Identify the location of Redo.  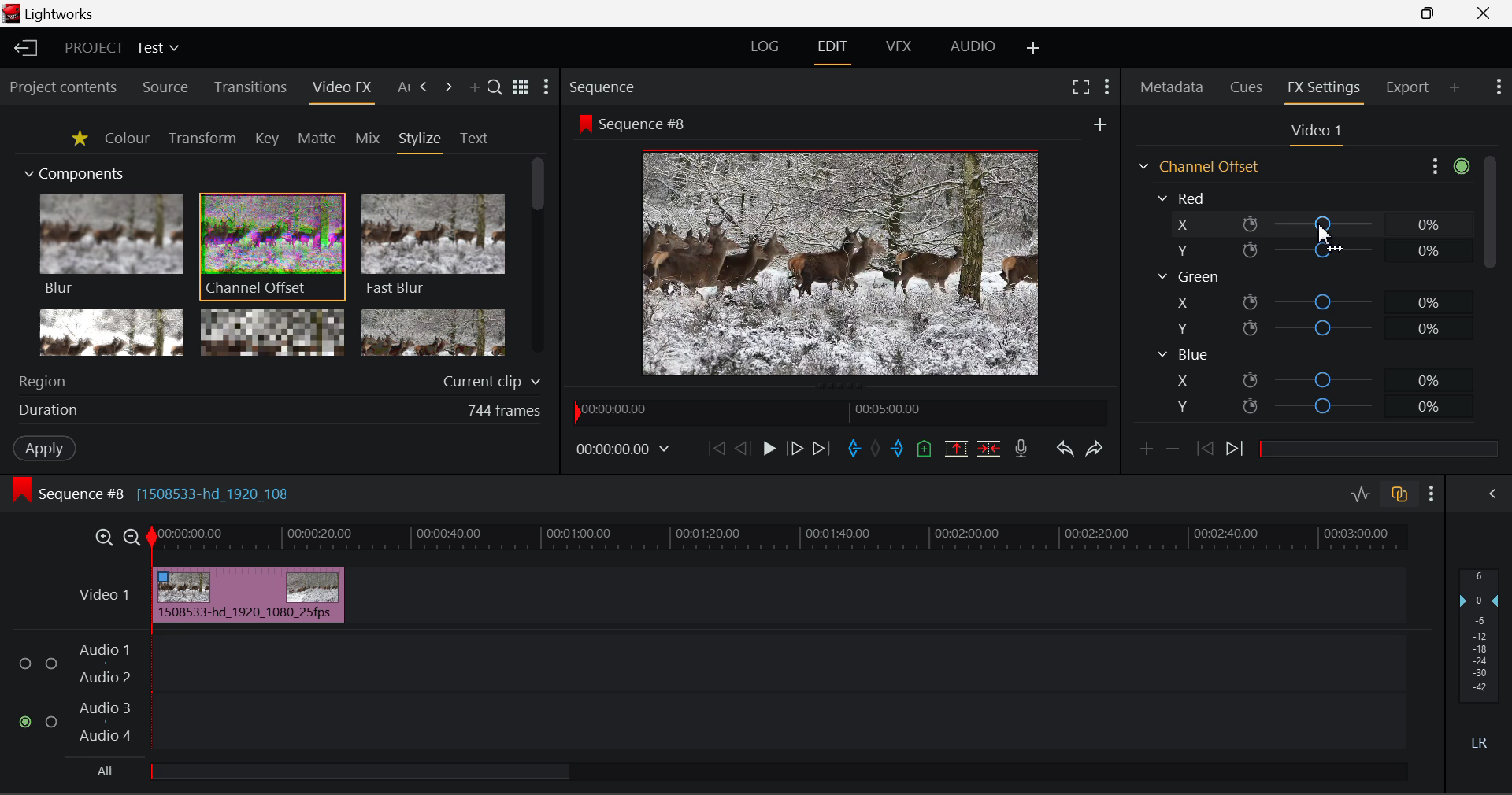
(1095, 452).